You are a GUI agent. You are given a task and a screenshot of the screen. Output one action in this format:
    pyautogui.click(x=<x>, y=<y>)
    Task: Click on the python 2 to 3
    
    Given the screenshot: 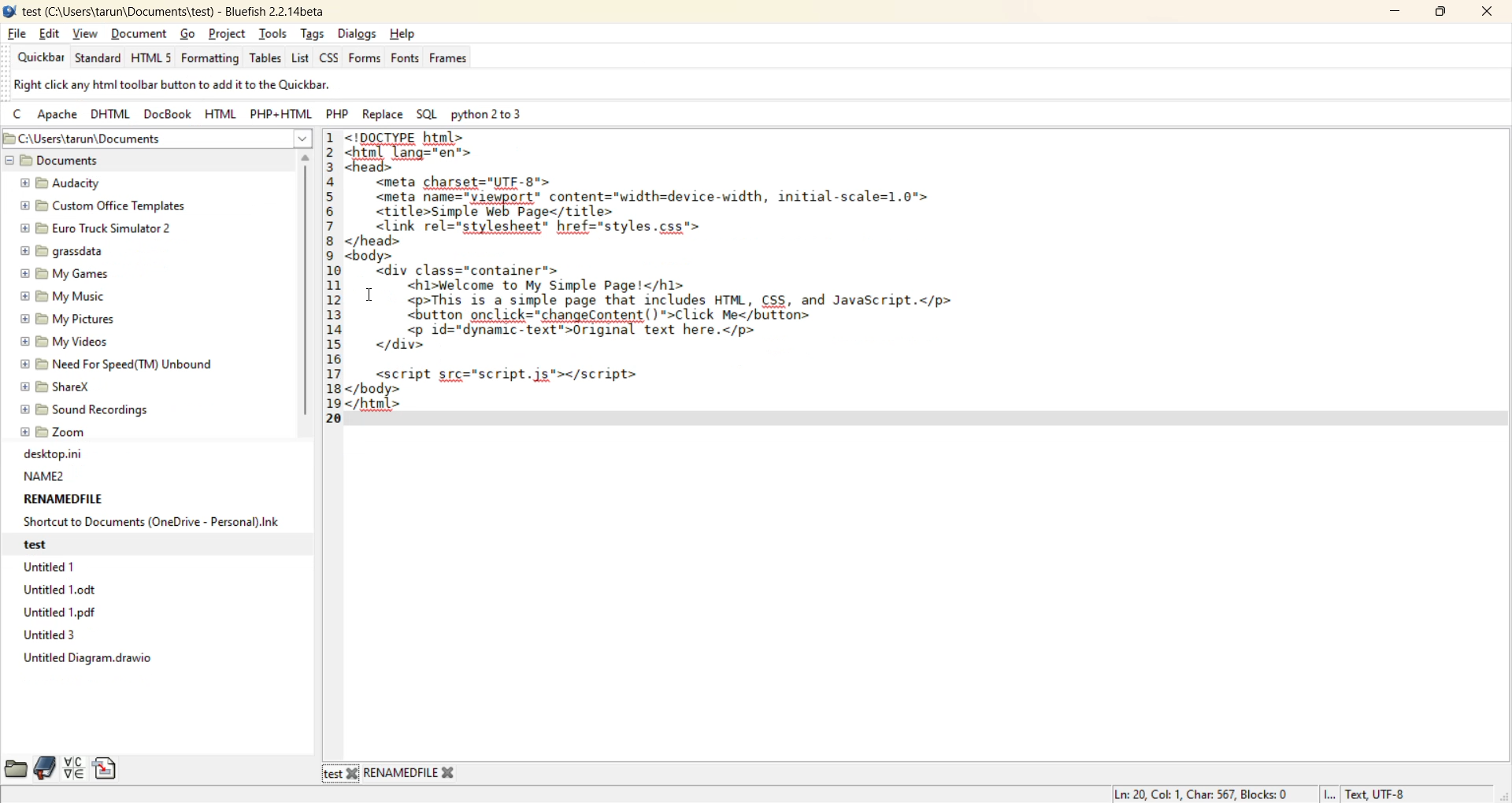 What is the action you would take?
    pyautogui.click(x=495, y=115)
    